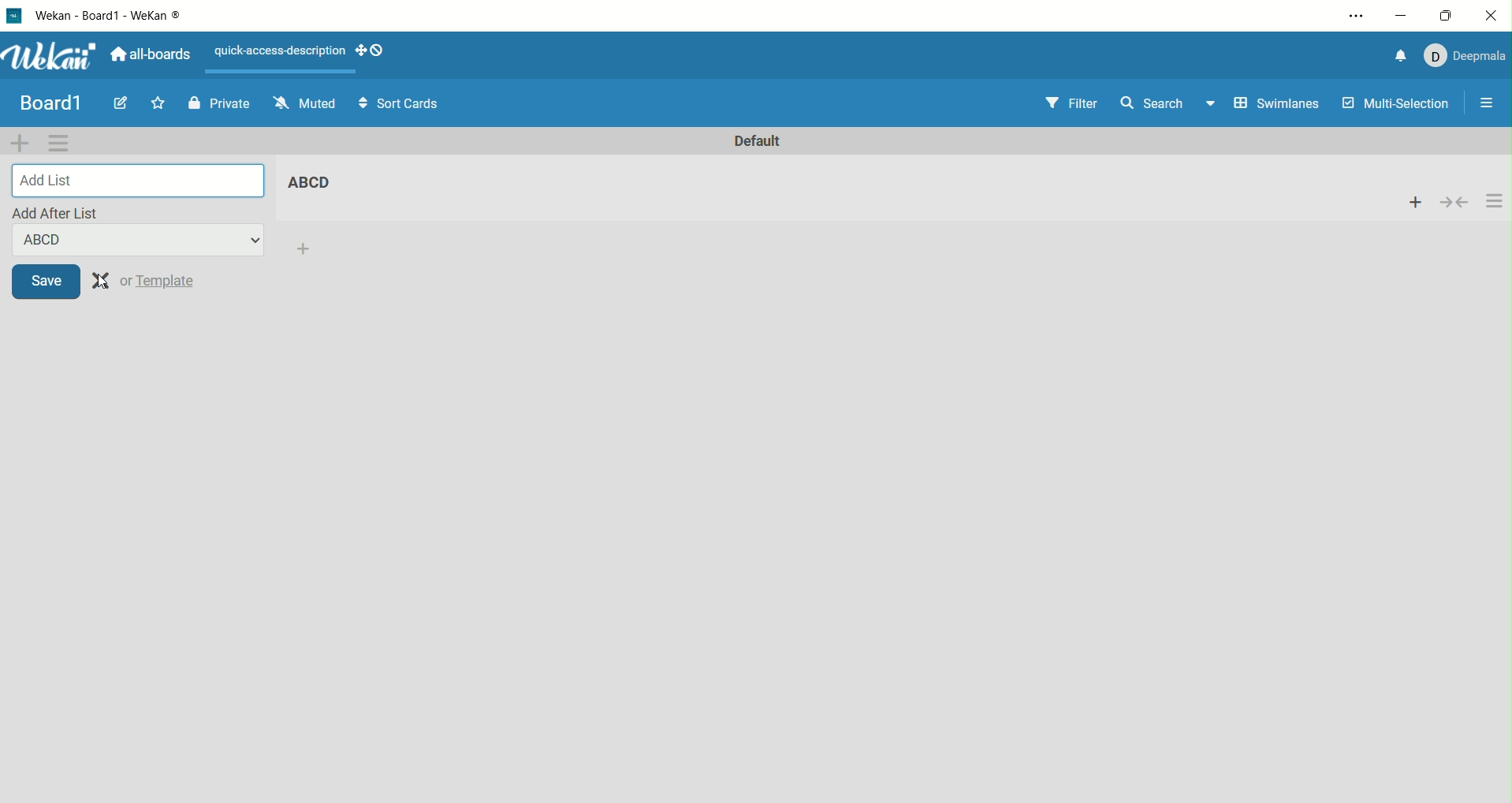 This screenshot has height=803, width=1512. Describe the element at coordinates (274, 51) in the screenshot. I see `text` at that location.